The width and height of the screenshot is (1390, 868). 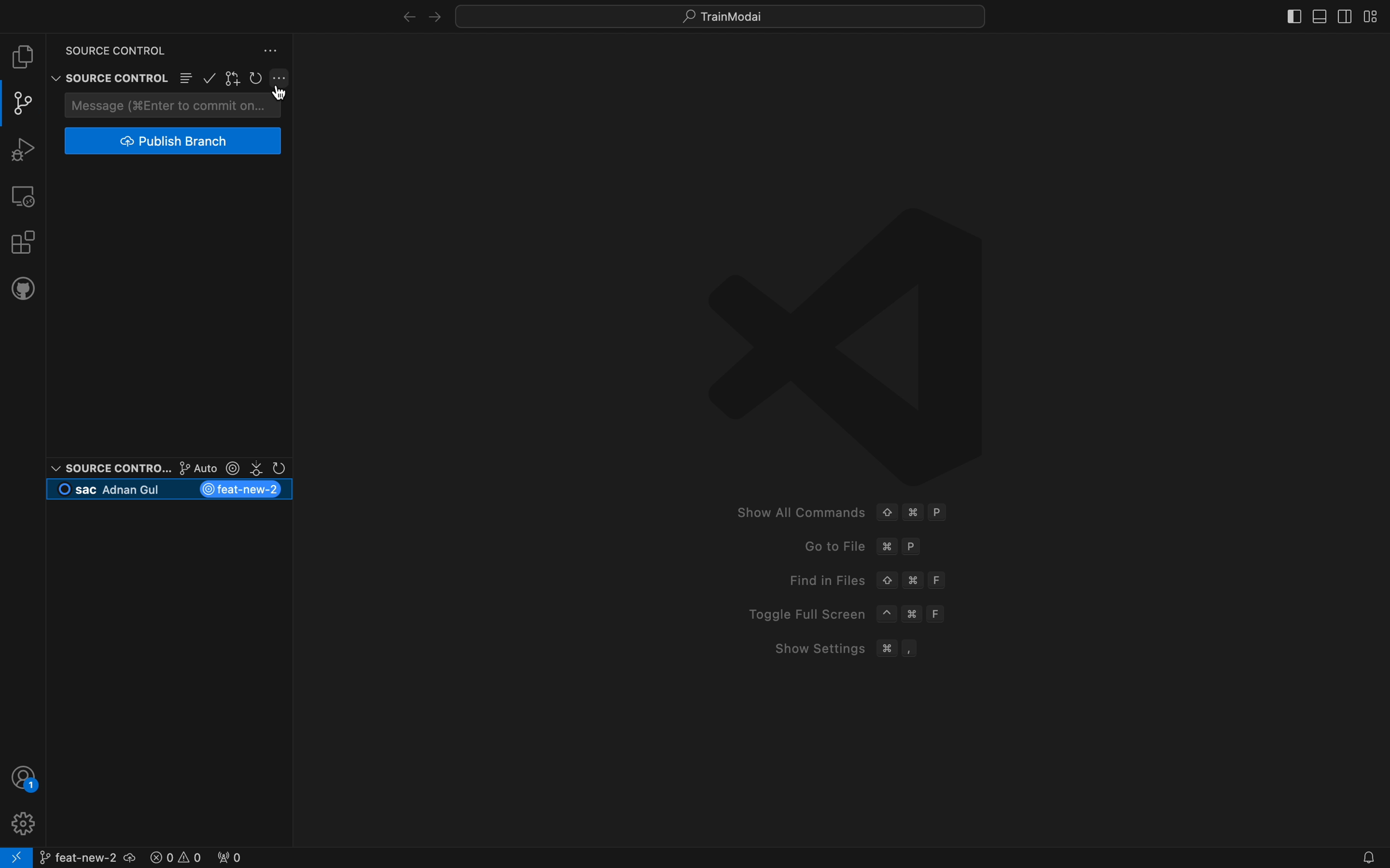 I want to click on publish, so click(x=175, y=141).